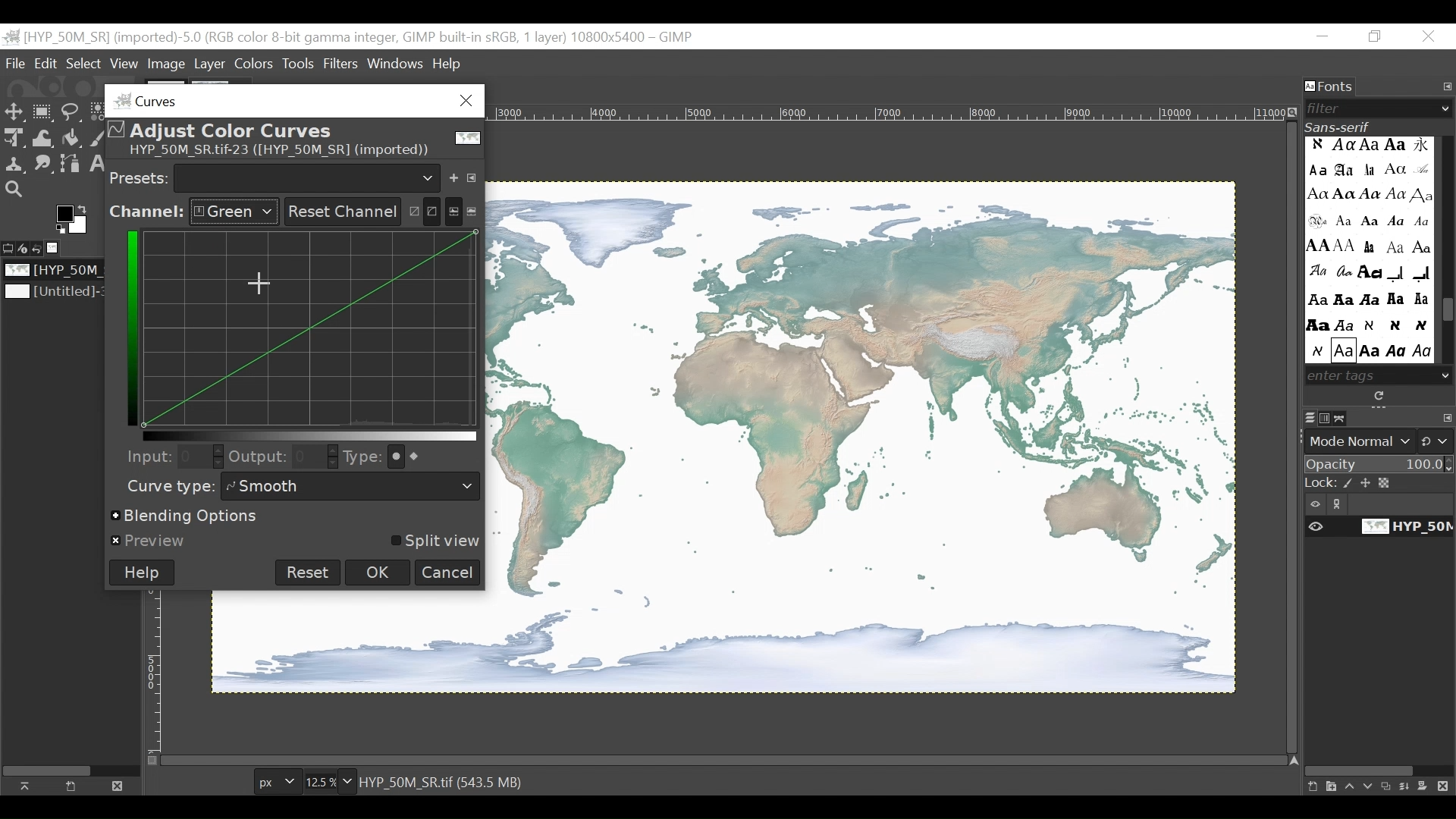 The image size is (1456, 819). What do you see at coordinates (124, 64) in the screenshot?
I see `View` at bounding box center [124, 64].